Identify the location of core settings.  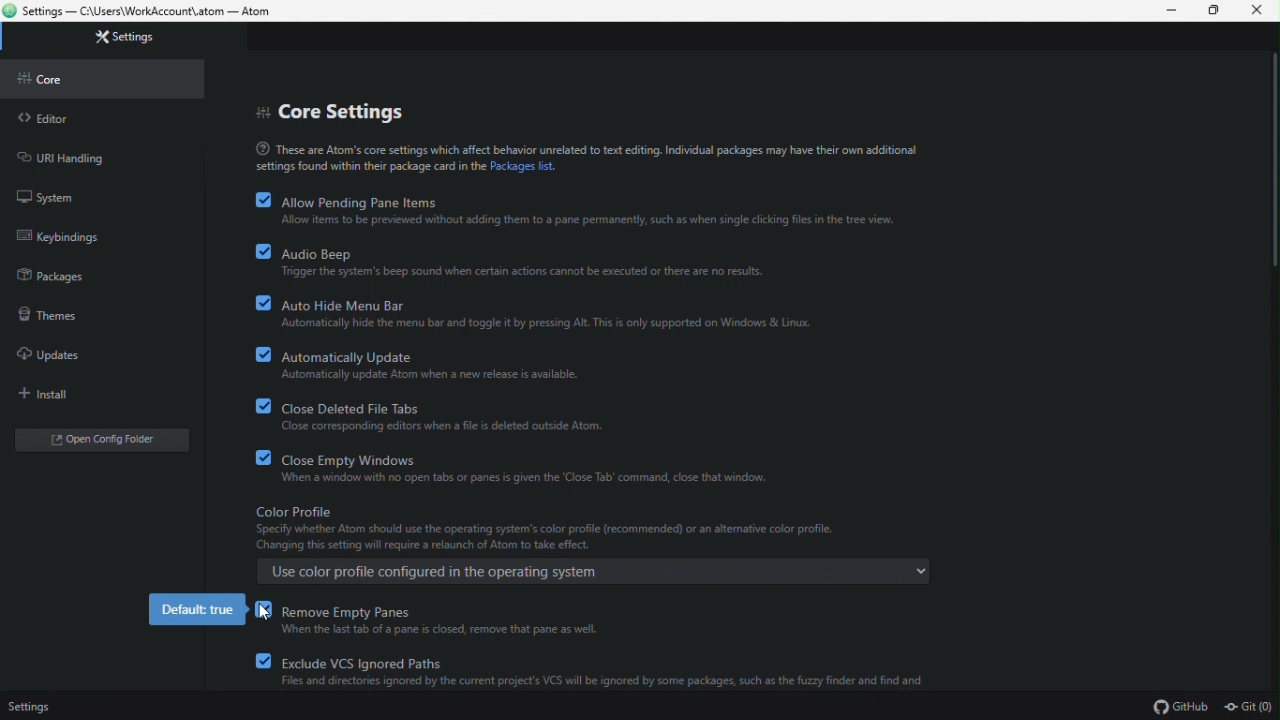
(334, 109).